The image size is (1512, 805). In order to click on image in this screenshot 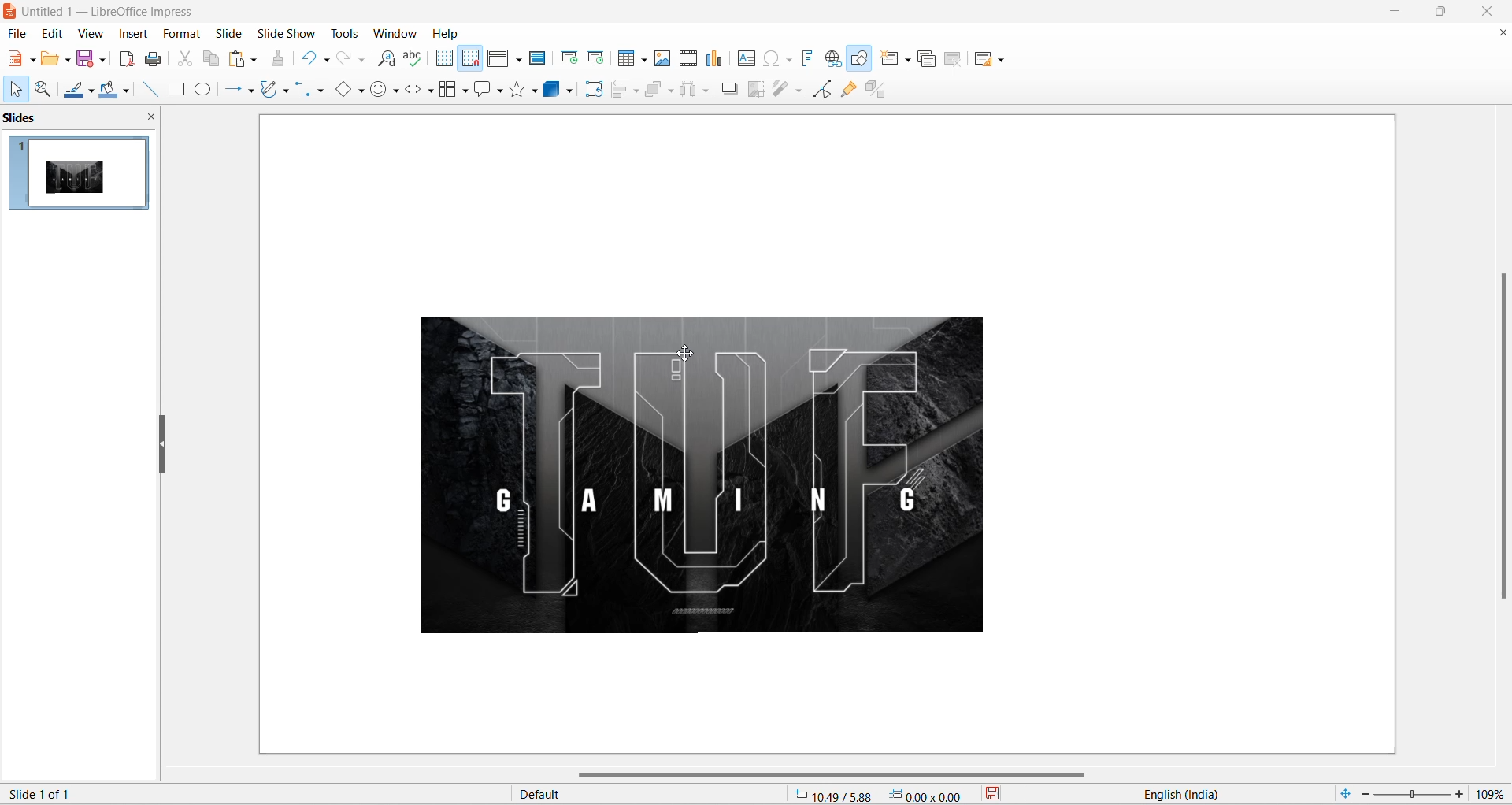, I will do `click(680, 479)`.